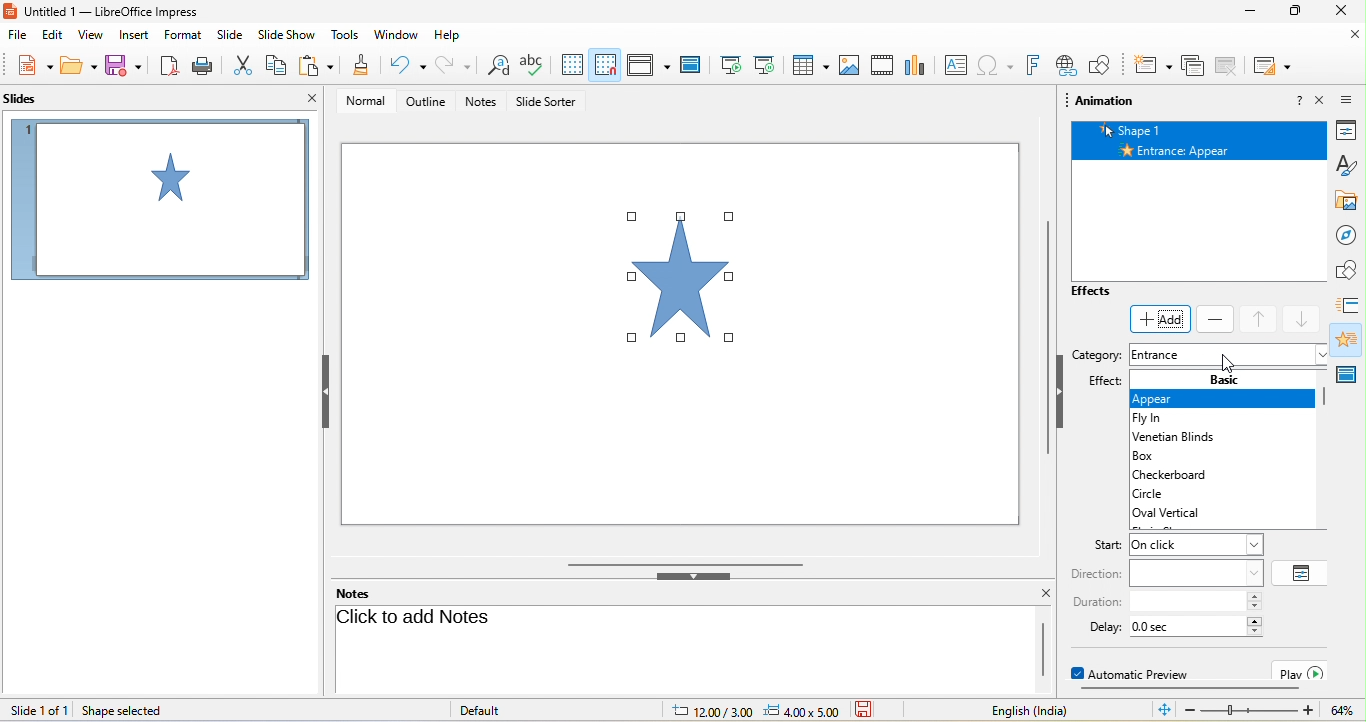 This screenshot has height=722, width=1366. What do you see at coordinates (1255, 632) in the screenshot?
I see `decrease delay` at bounding box center [1255, 632].